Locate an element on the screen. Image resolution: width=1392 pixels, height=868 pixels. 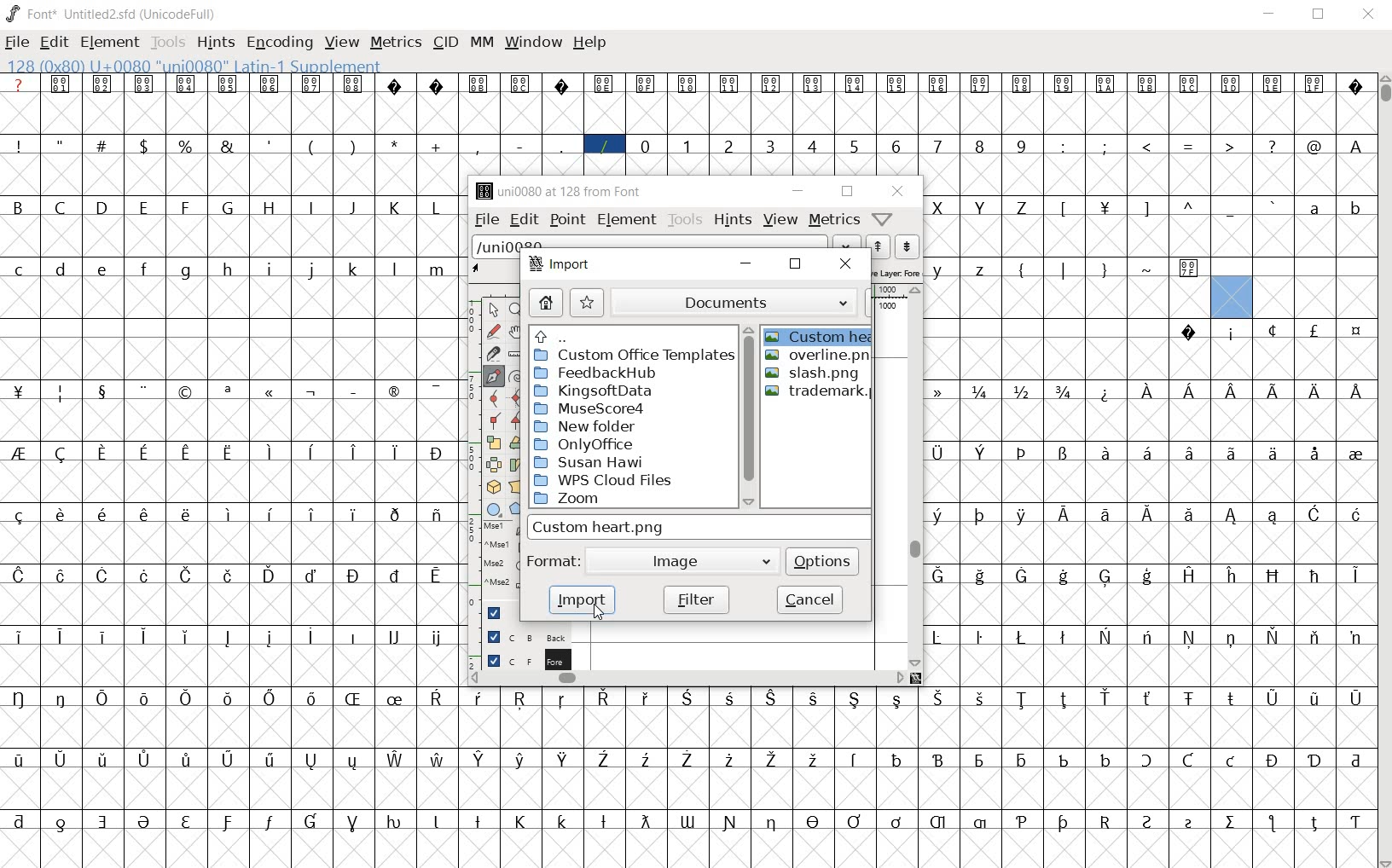
glyph is located at coordinates (435, 208).